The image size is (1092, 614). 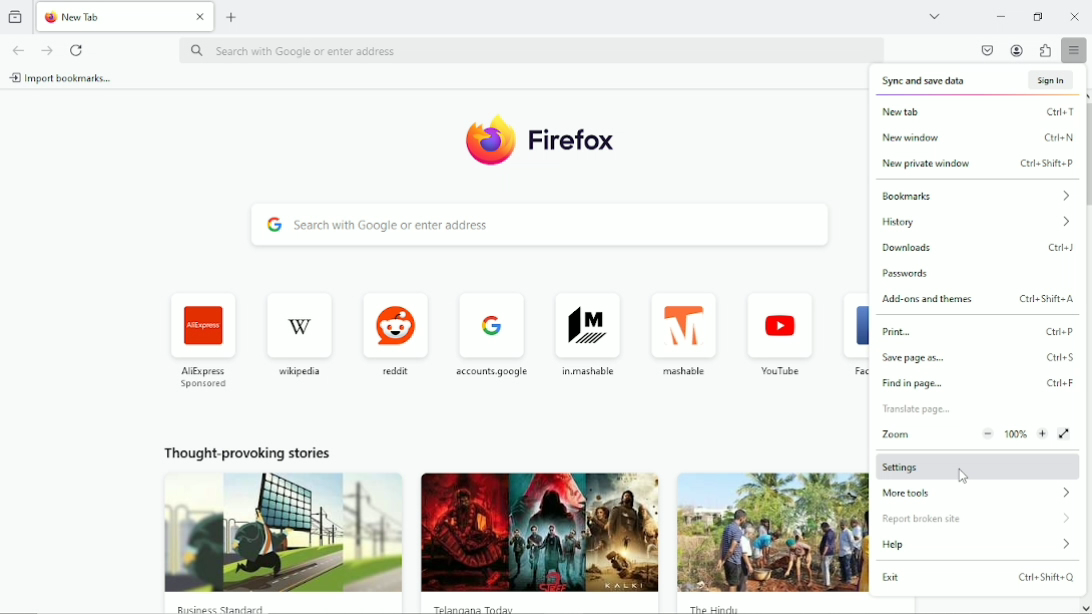 I want to click on Report broken site, so click(x=924, y=521).